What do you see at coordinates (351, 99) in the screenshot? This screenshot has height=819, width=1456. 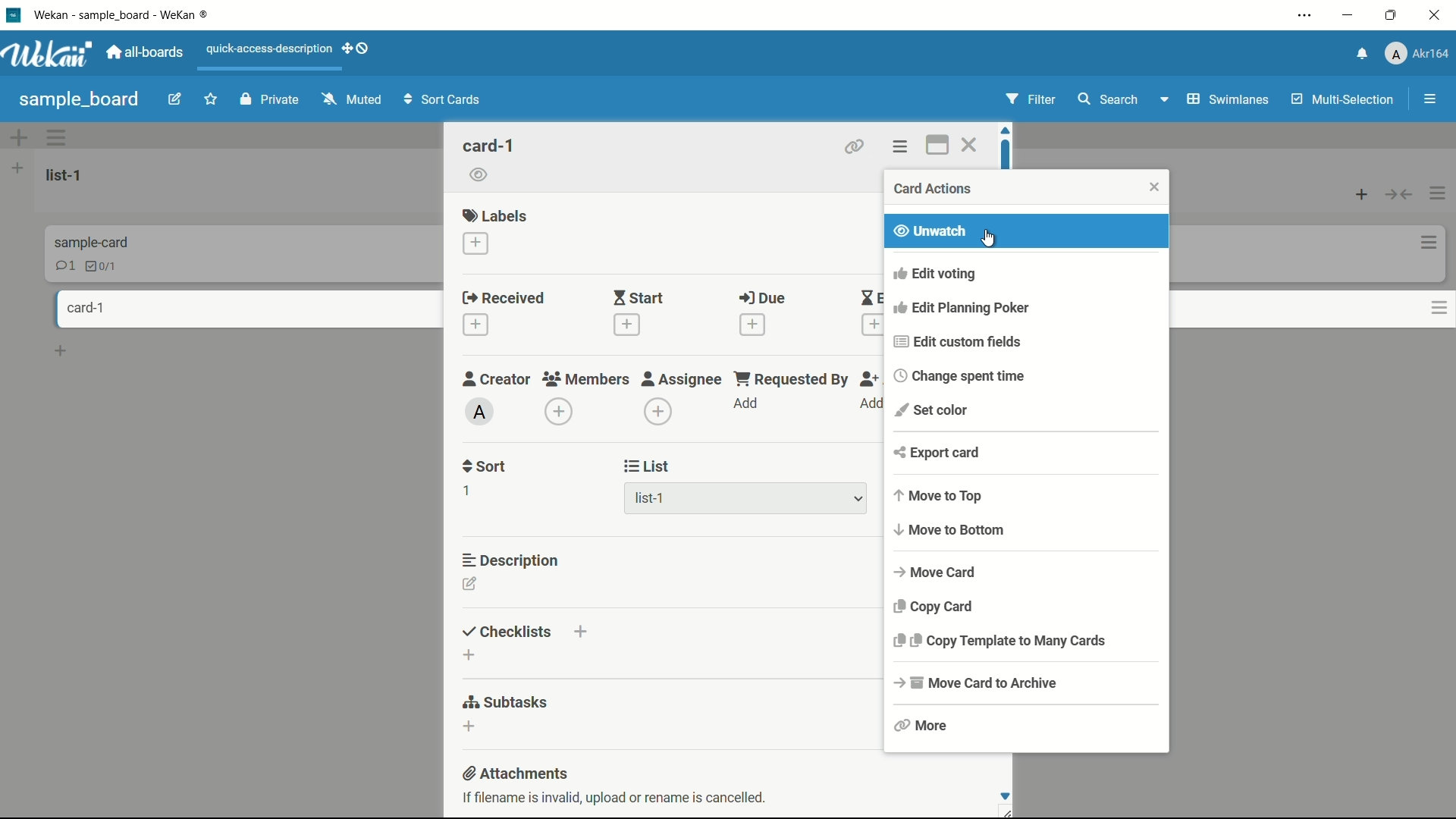 I see `muted` at bounding box center [351, 99].